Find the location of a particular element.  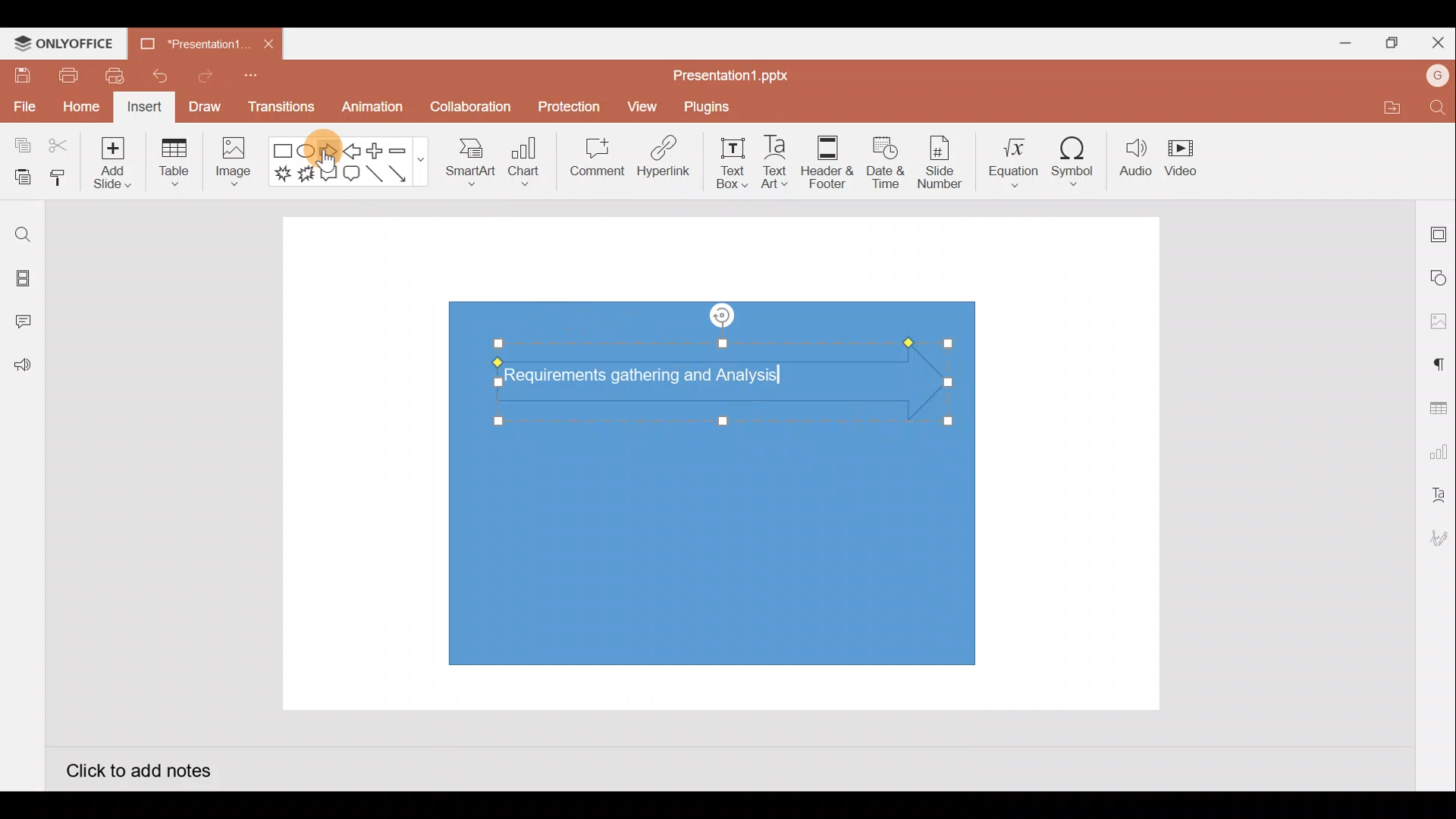

Print file is located at coordinates (67, 74).